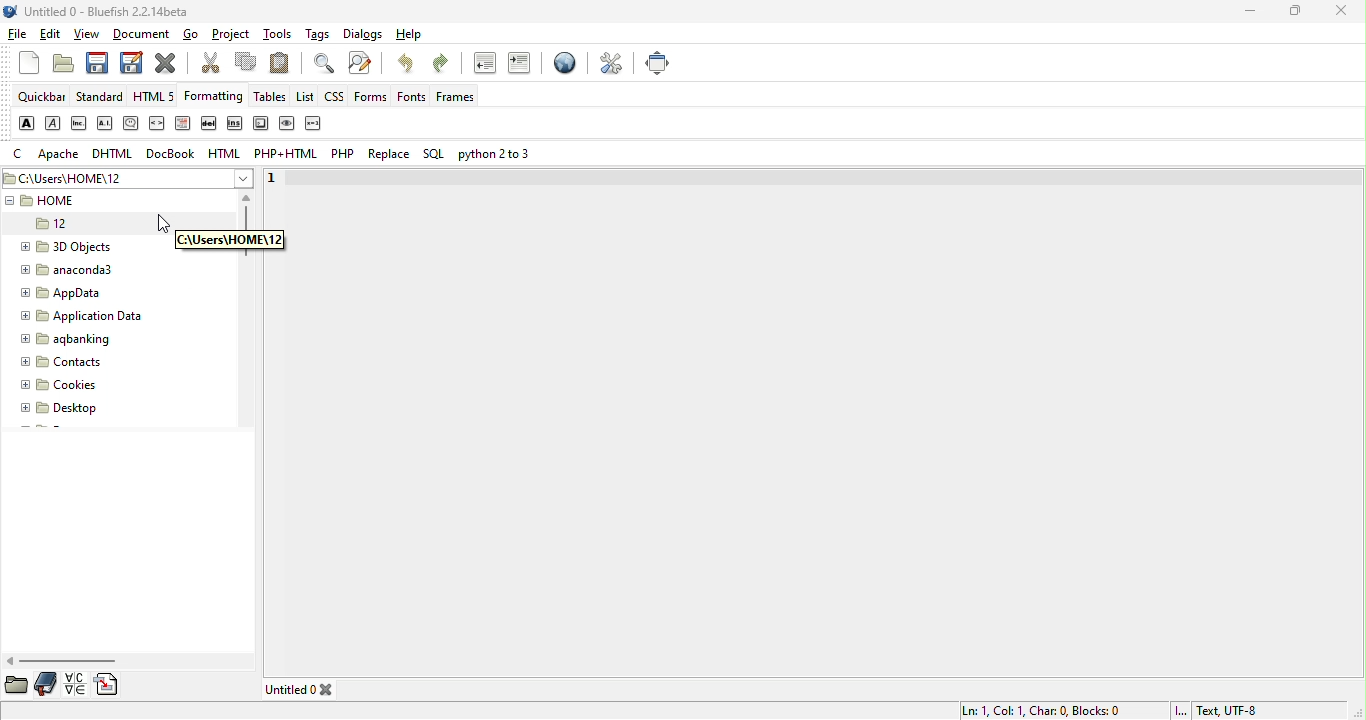 The height and width of the screenshot is (720, 1366). Describe the element at coordinates (84, 341) in the screenshot. I see `aqbanking` at that location.